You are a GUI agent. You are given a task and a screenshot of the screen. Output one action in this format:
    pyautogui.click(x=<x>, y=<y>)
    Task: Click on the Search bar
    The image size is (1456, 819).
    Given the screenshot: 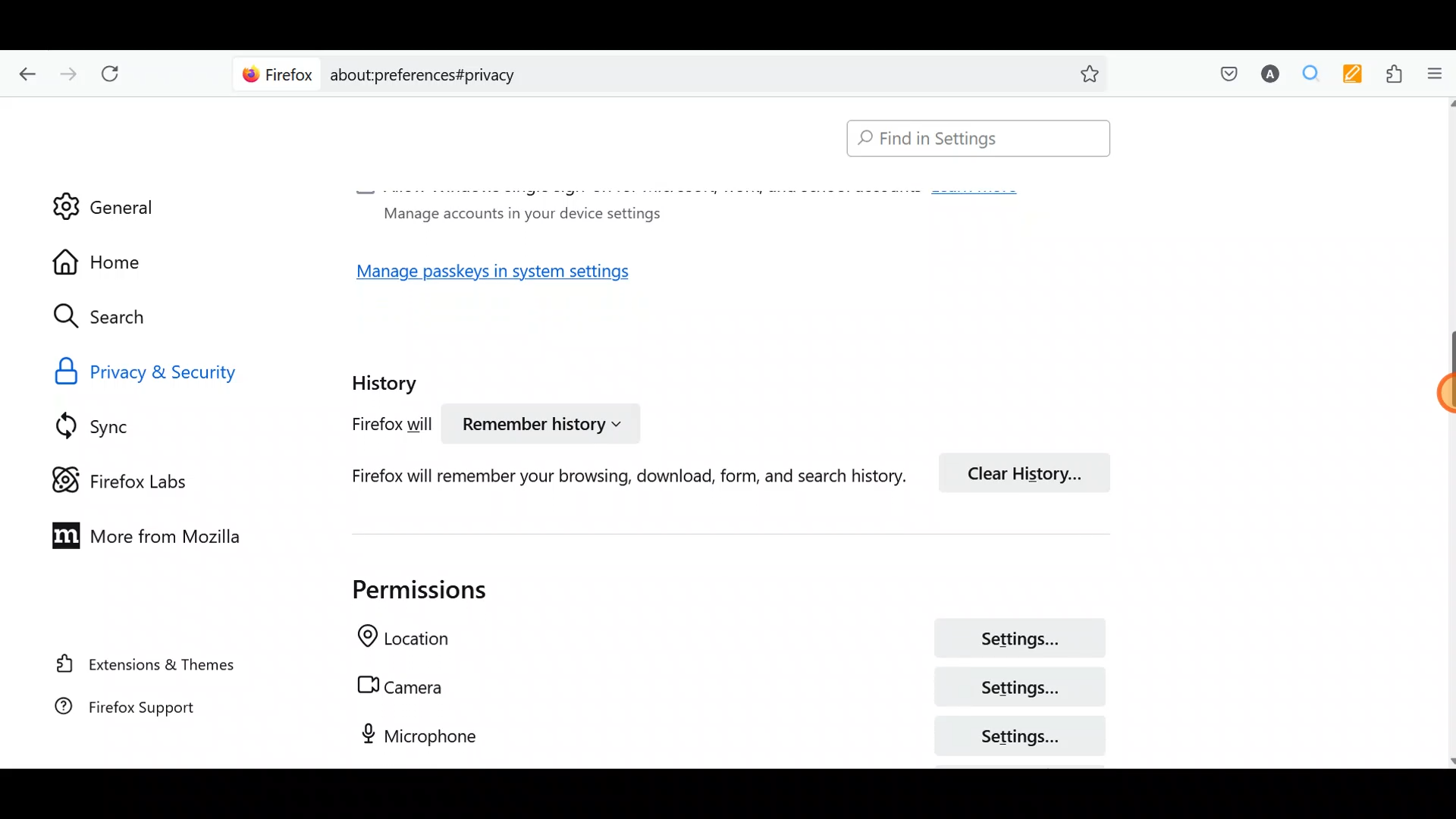 What is the action you would take?
    pyautogui.click(x=971, y=140)
    